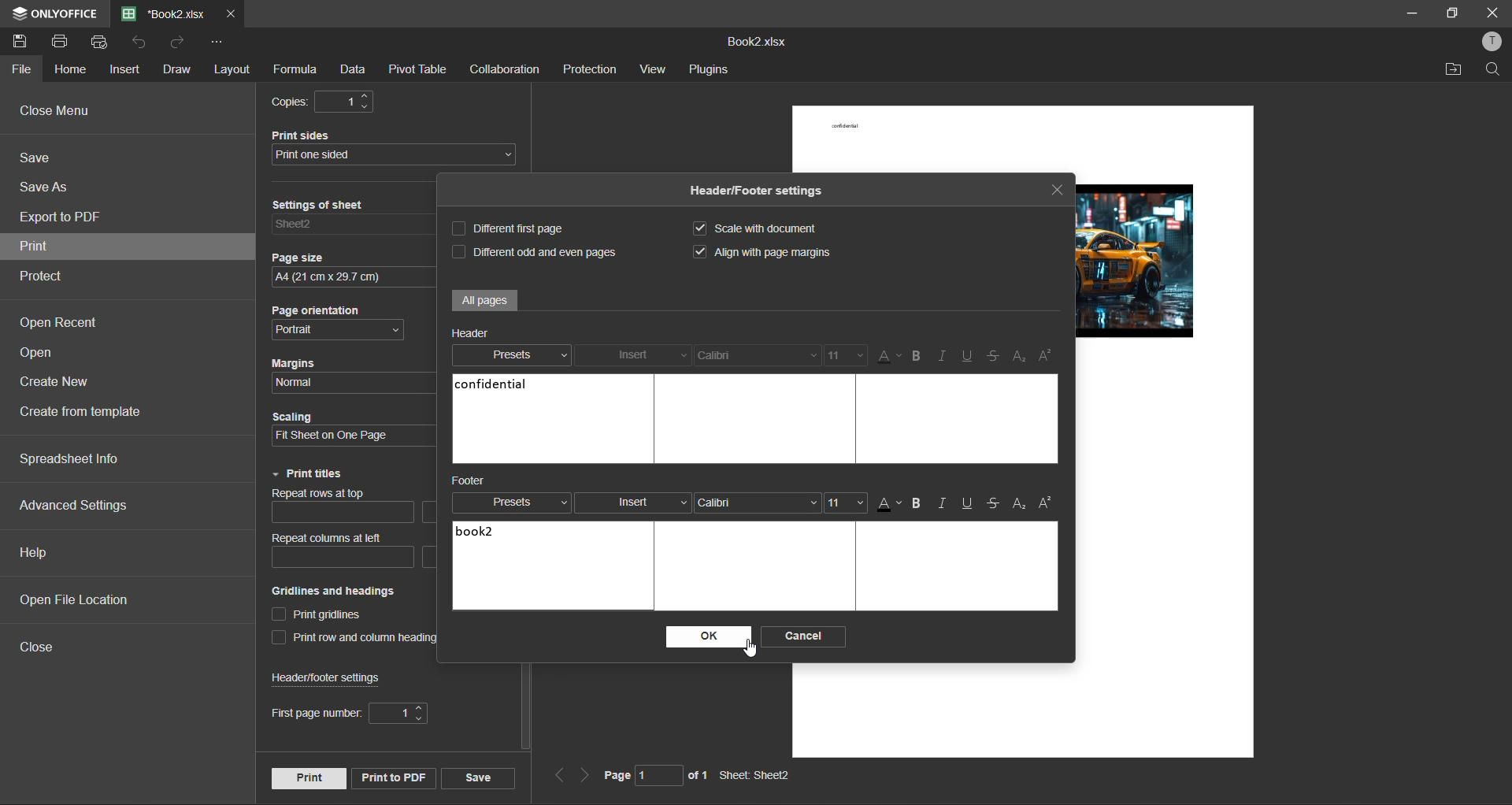  What do you see at coordinates (845, 124) in the screenshot?
I see `confidential` at bounding box center [845, 124].